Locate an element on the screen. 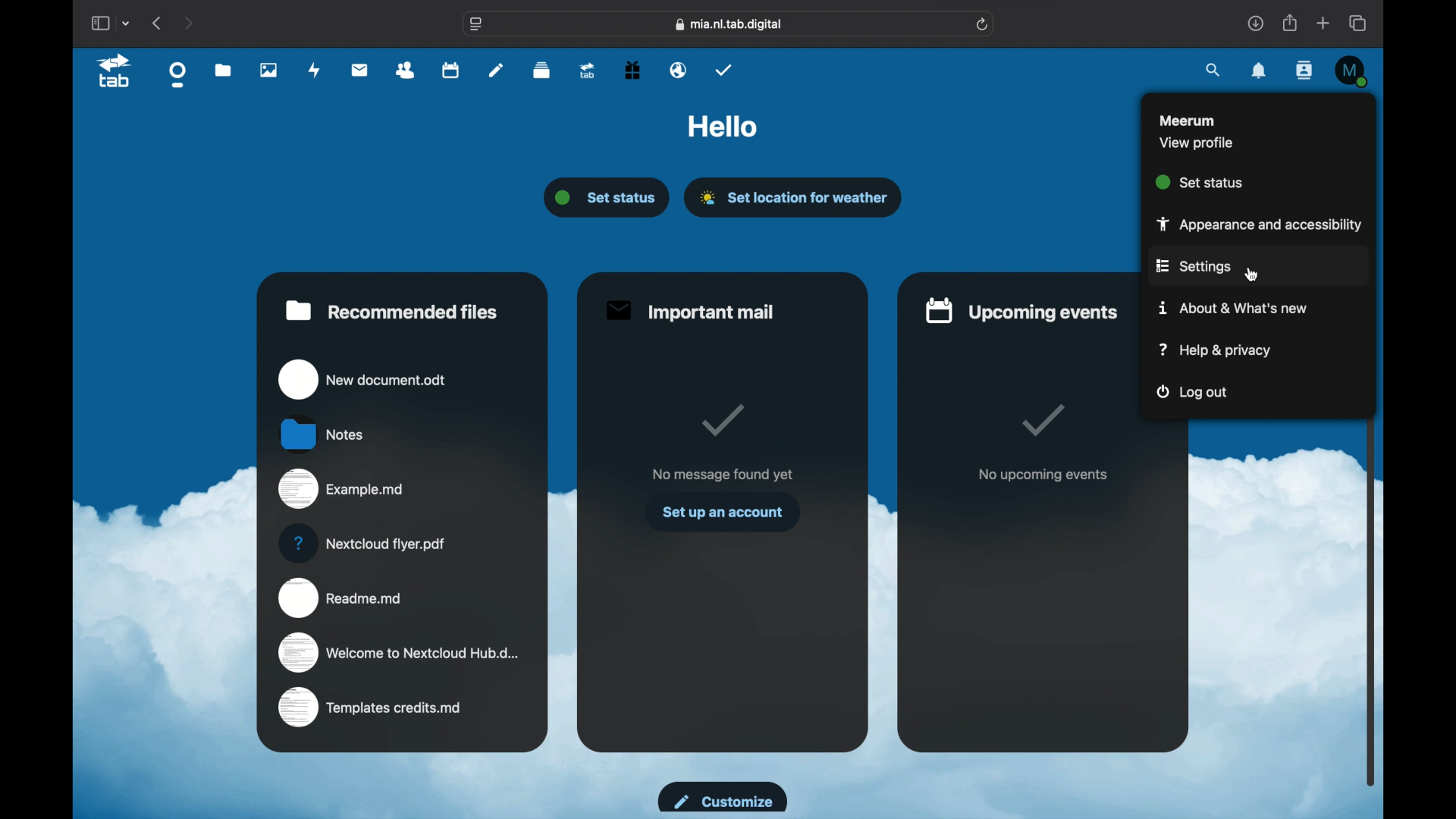 The image size is (1456, 819). new document is located at coordinates (364, 380).